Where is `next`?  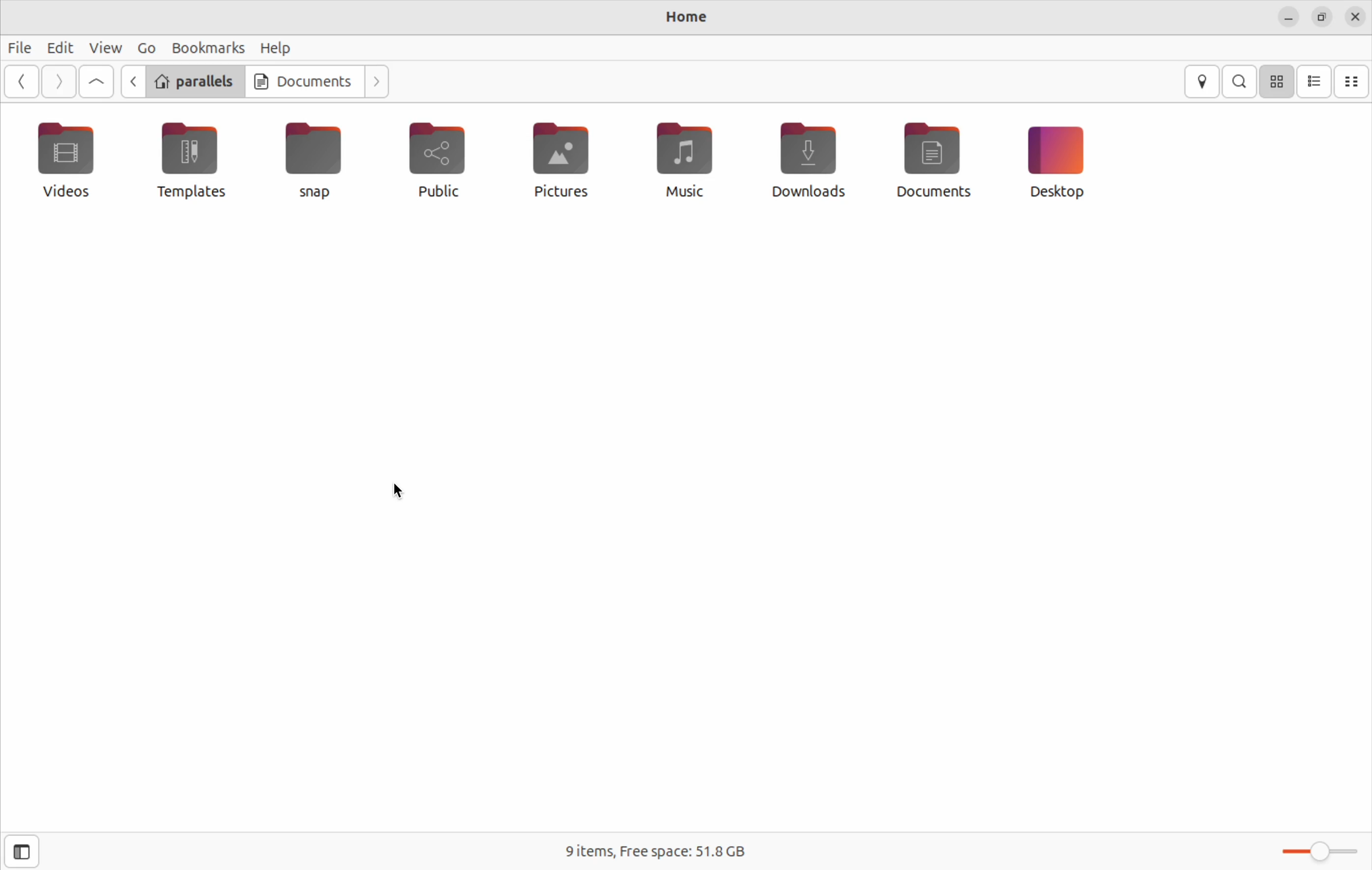
next is located at coordinates (375, 81).